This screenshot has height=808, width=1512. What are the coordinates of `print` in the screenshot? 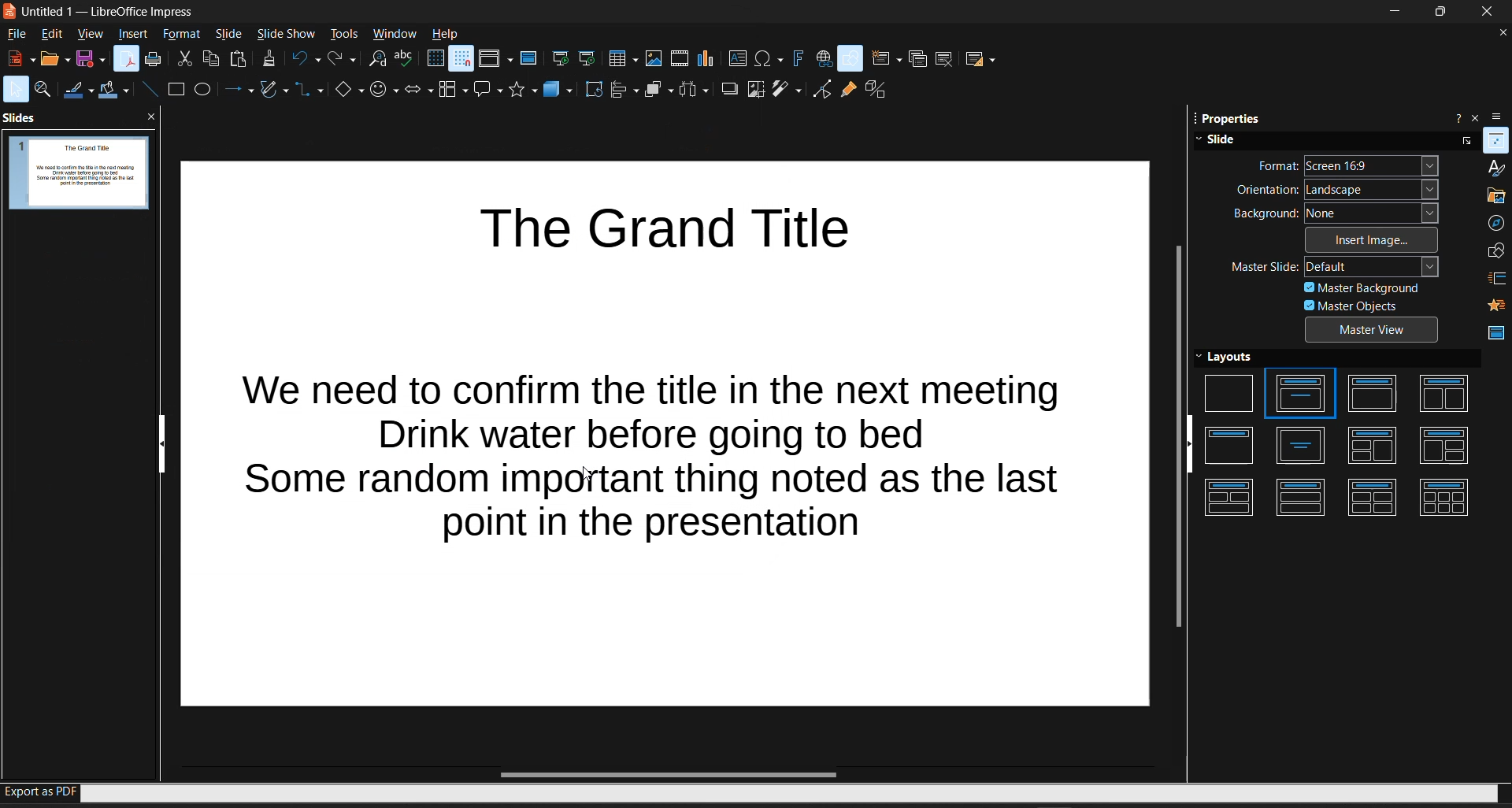 It's located at (155, 61).